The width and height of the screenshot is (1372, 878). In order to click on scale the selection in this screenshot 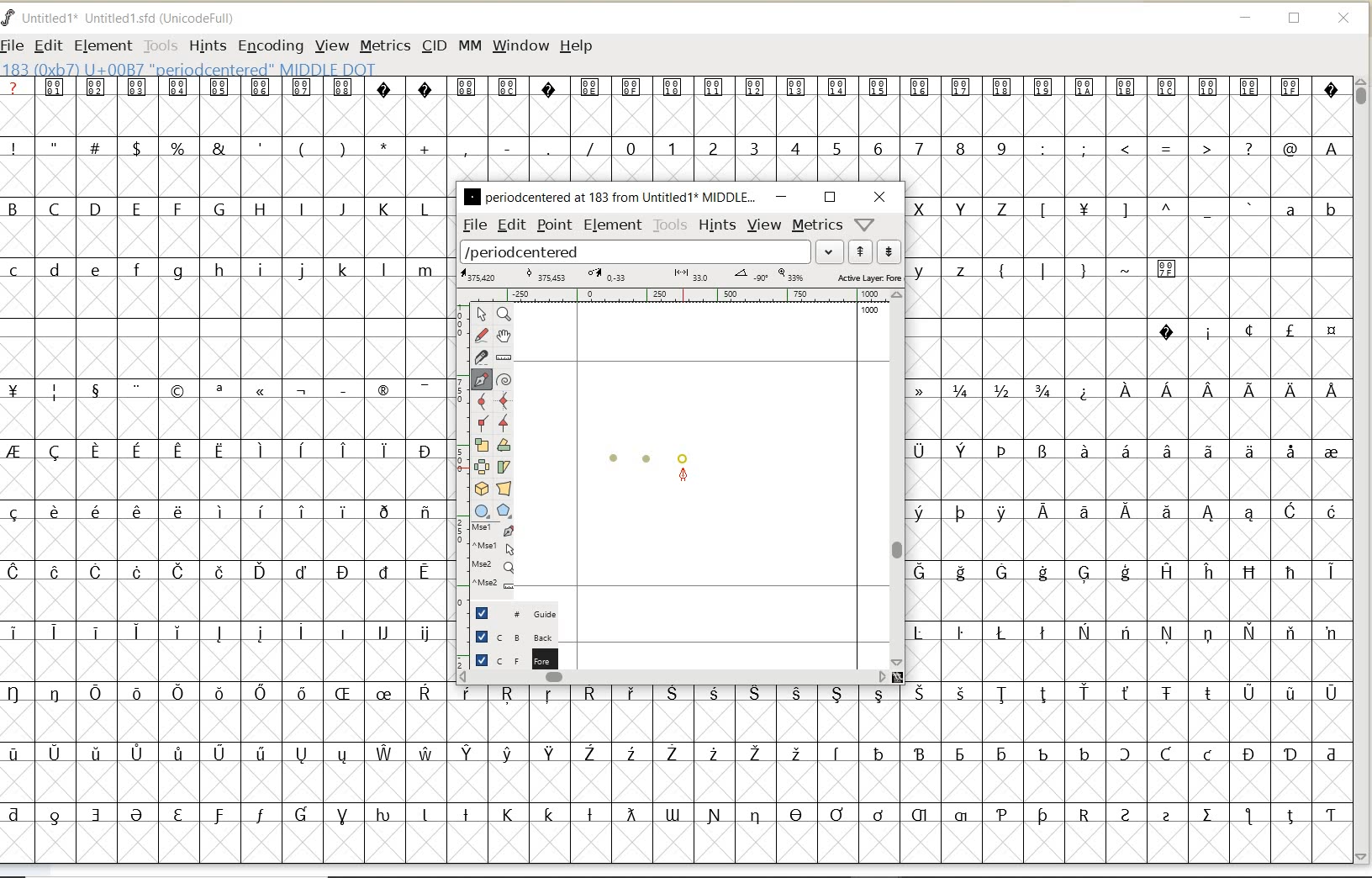, I will do `click(480, 446)`.